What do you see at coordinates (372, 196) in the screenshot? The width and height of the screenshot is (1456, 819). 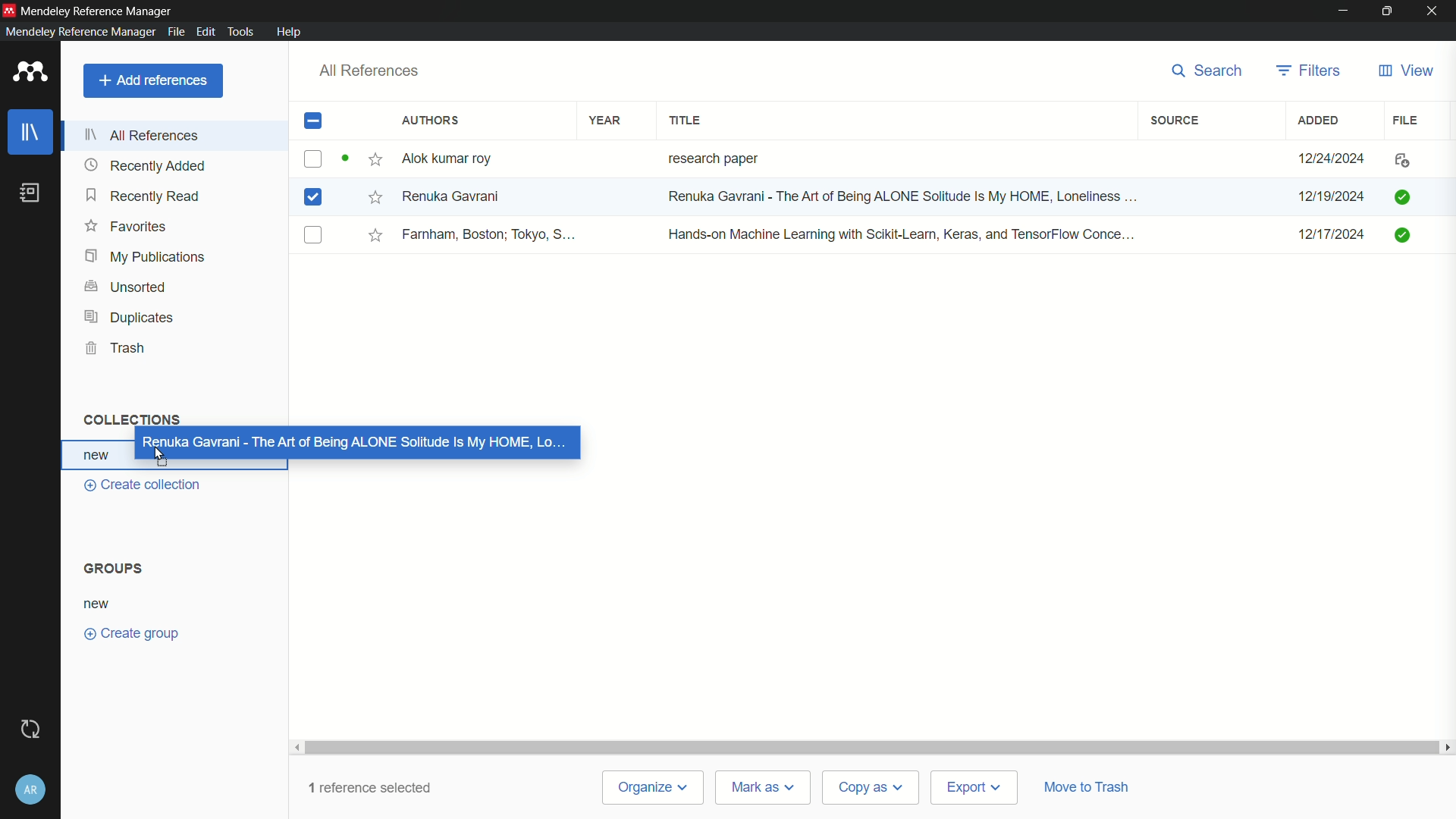 I see `Starred` at bounding box center [372, 196].